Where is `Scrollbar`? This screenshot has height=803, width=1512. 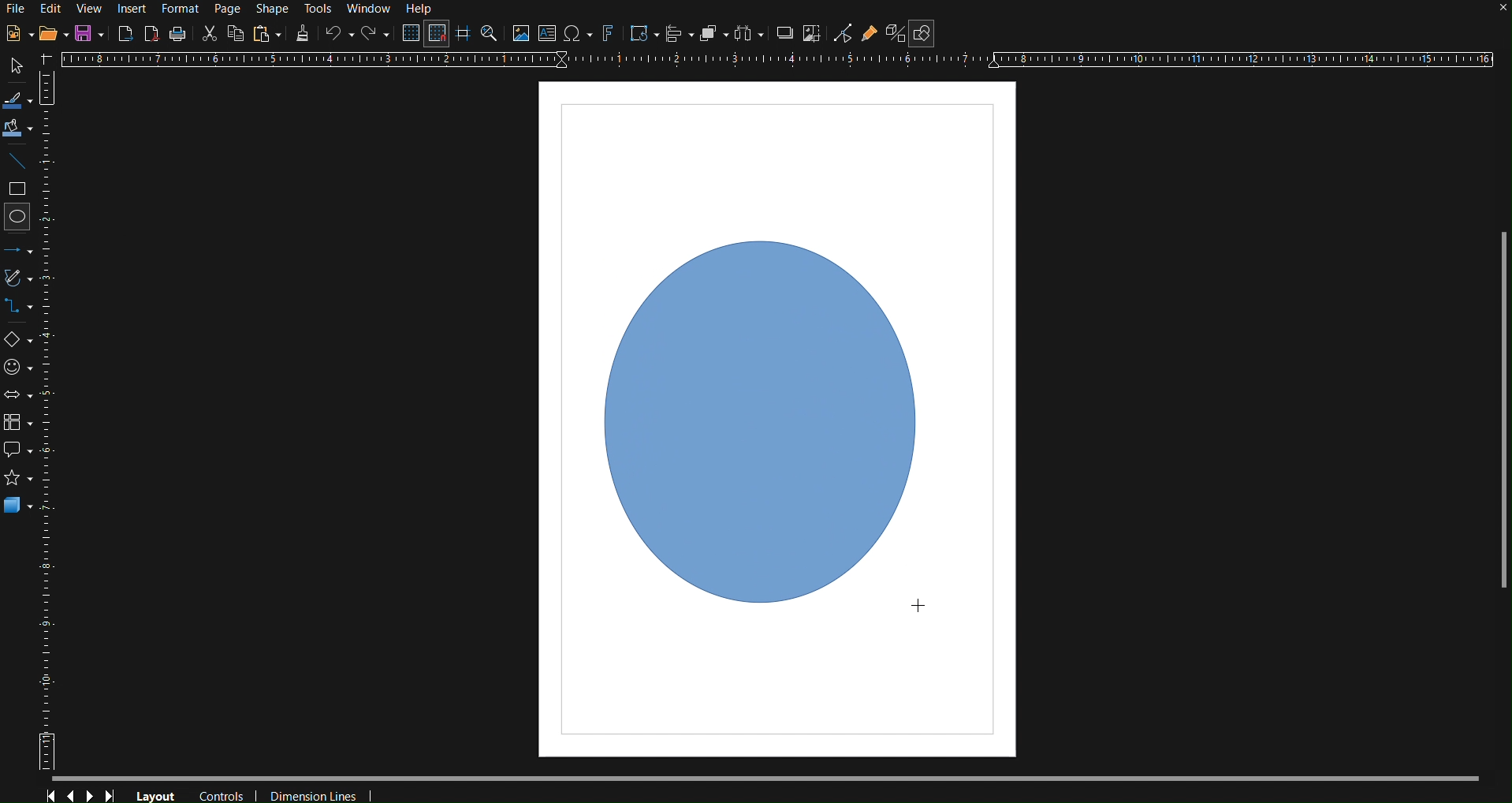 Scrollbar is located at coordinates (1503, 409).